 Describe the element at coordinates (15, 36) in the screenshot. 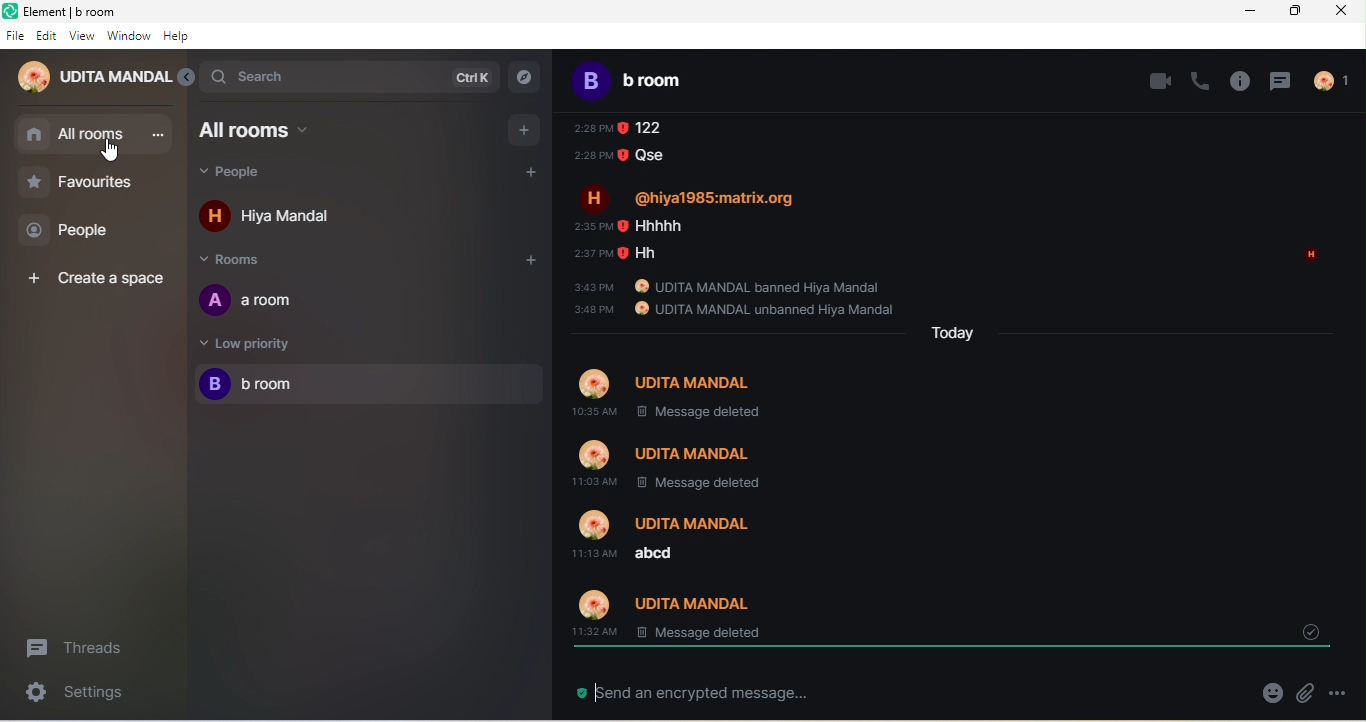

I see `file` at that location.